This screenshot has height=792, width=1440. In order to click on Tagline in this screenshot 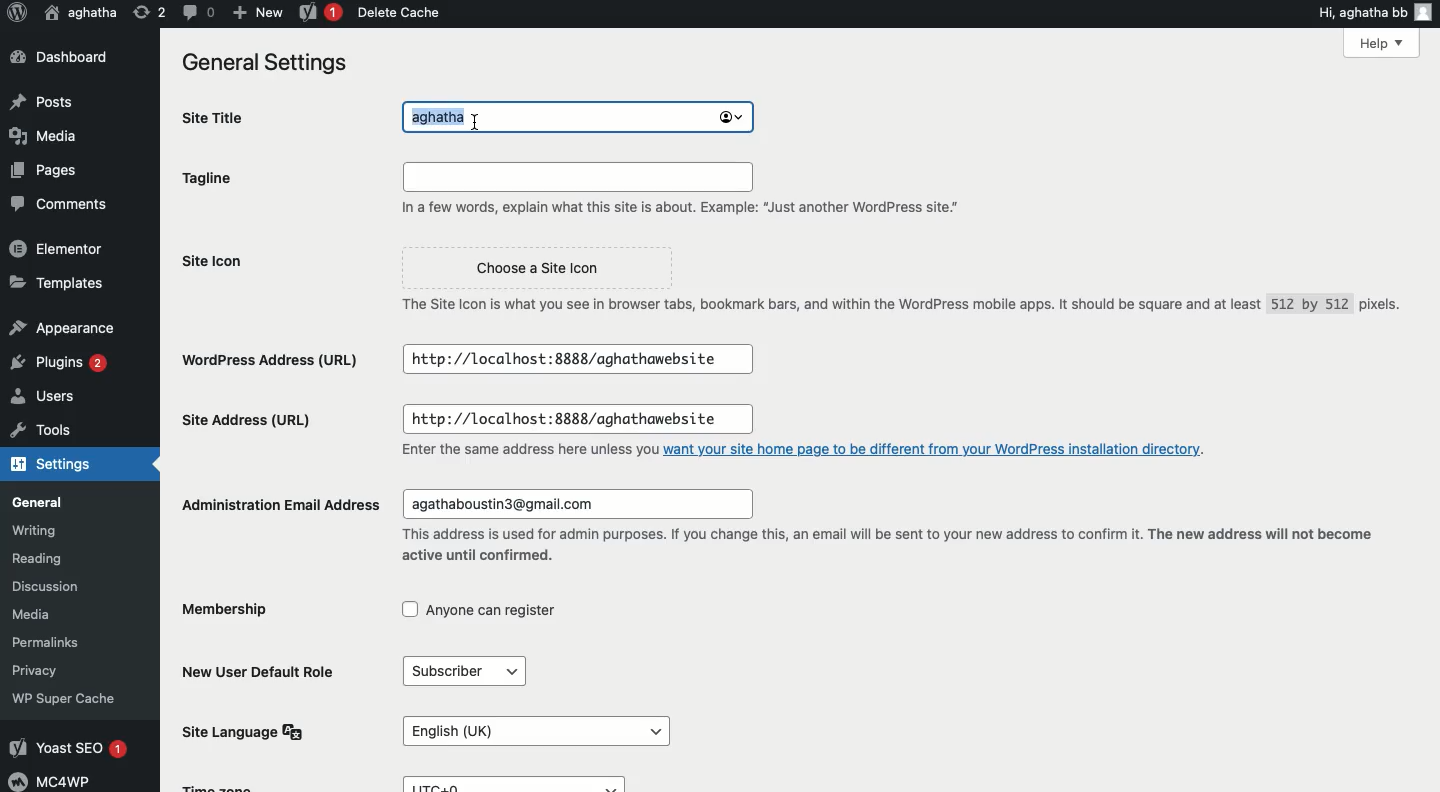, I will do `click(222, 182)`.